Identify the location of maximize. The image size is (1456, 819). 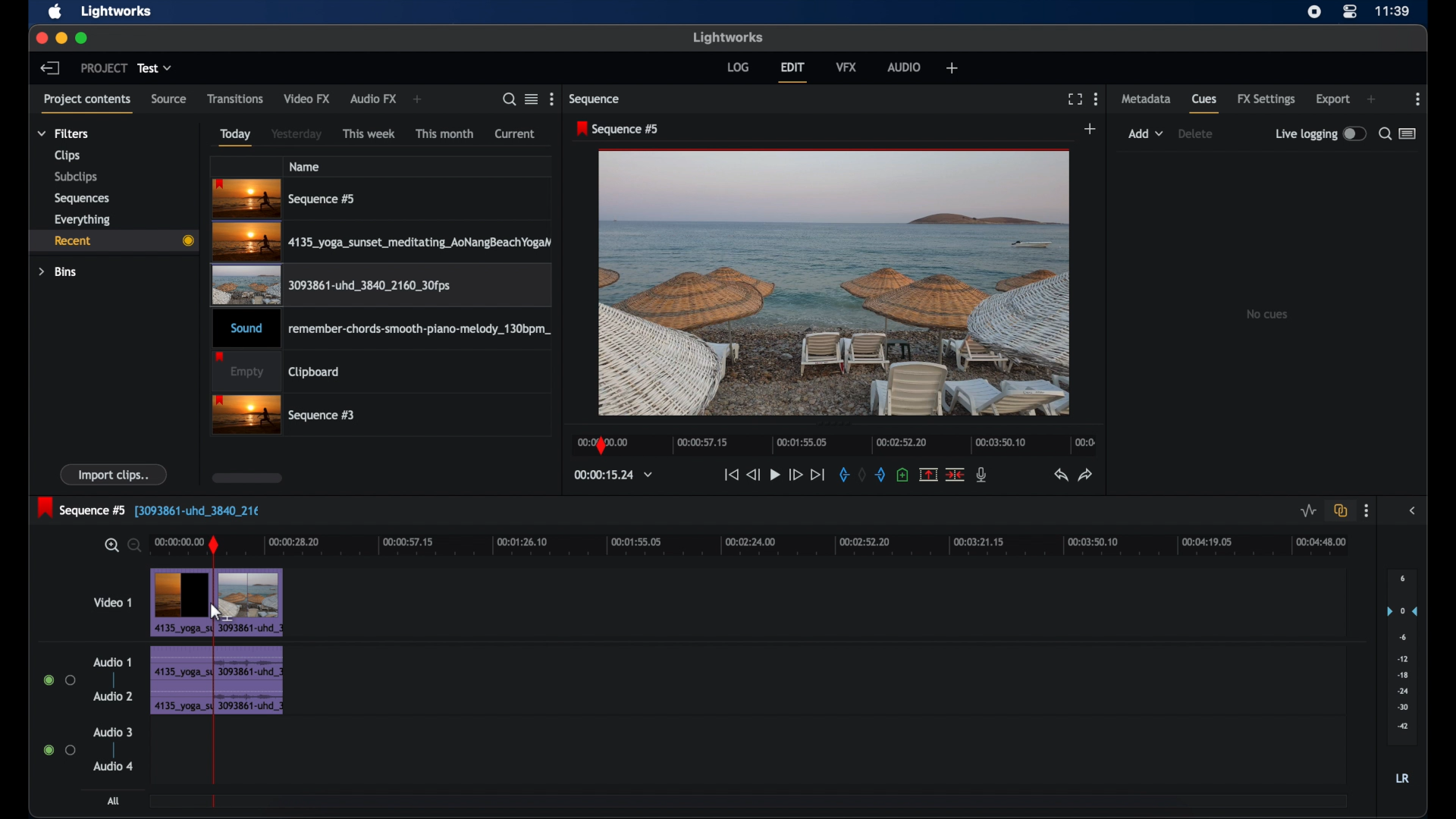
(82, 38).